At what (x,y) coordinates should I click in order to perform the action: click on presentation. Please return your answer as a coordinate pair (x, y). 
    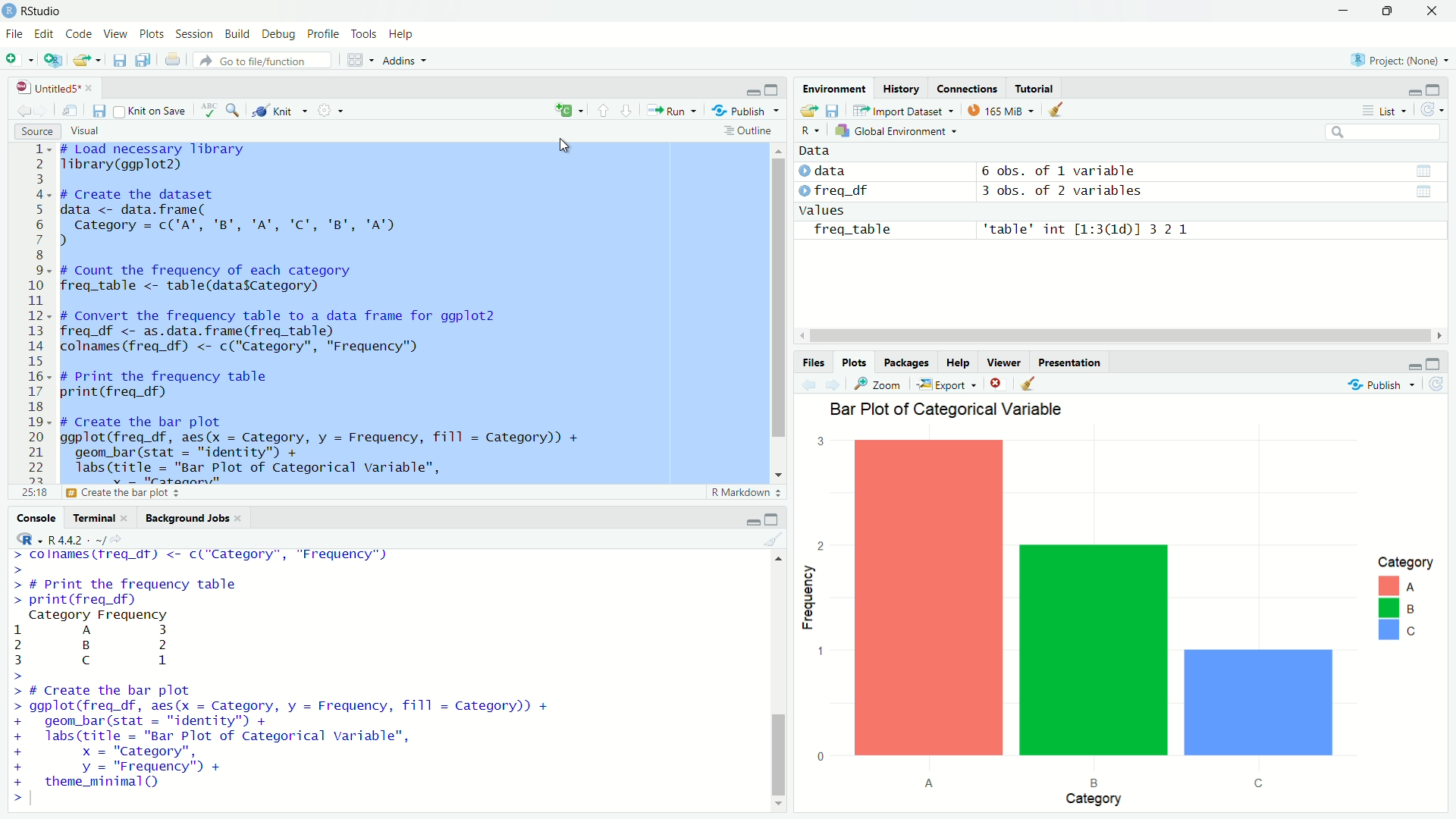
    Looking at the image, I should click on (1072, 363).